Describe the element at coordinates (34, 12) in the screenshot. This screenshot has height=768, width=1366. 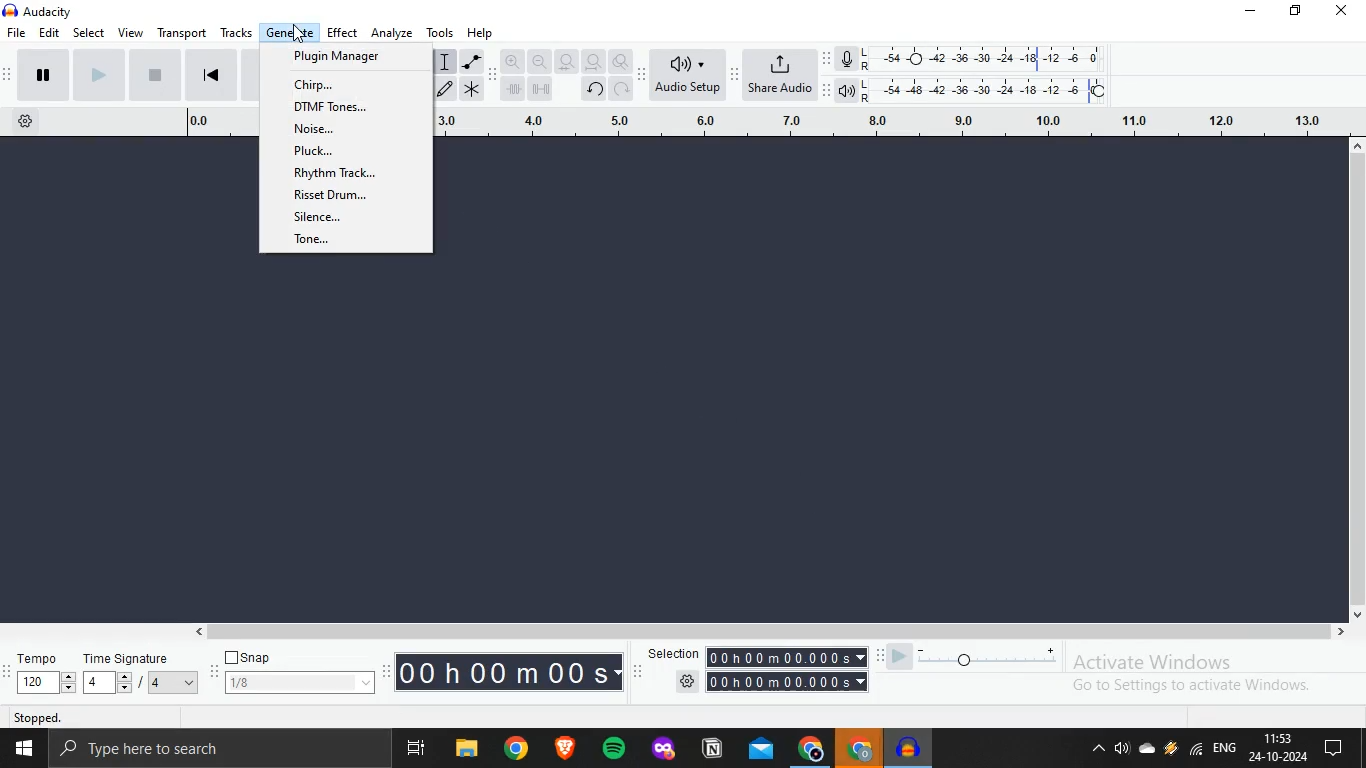
I see `Audacity` at that location.